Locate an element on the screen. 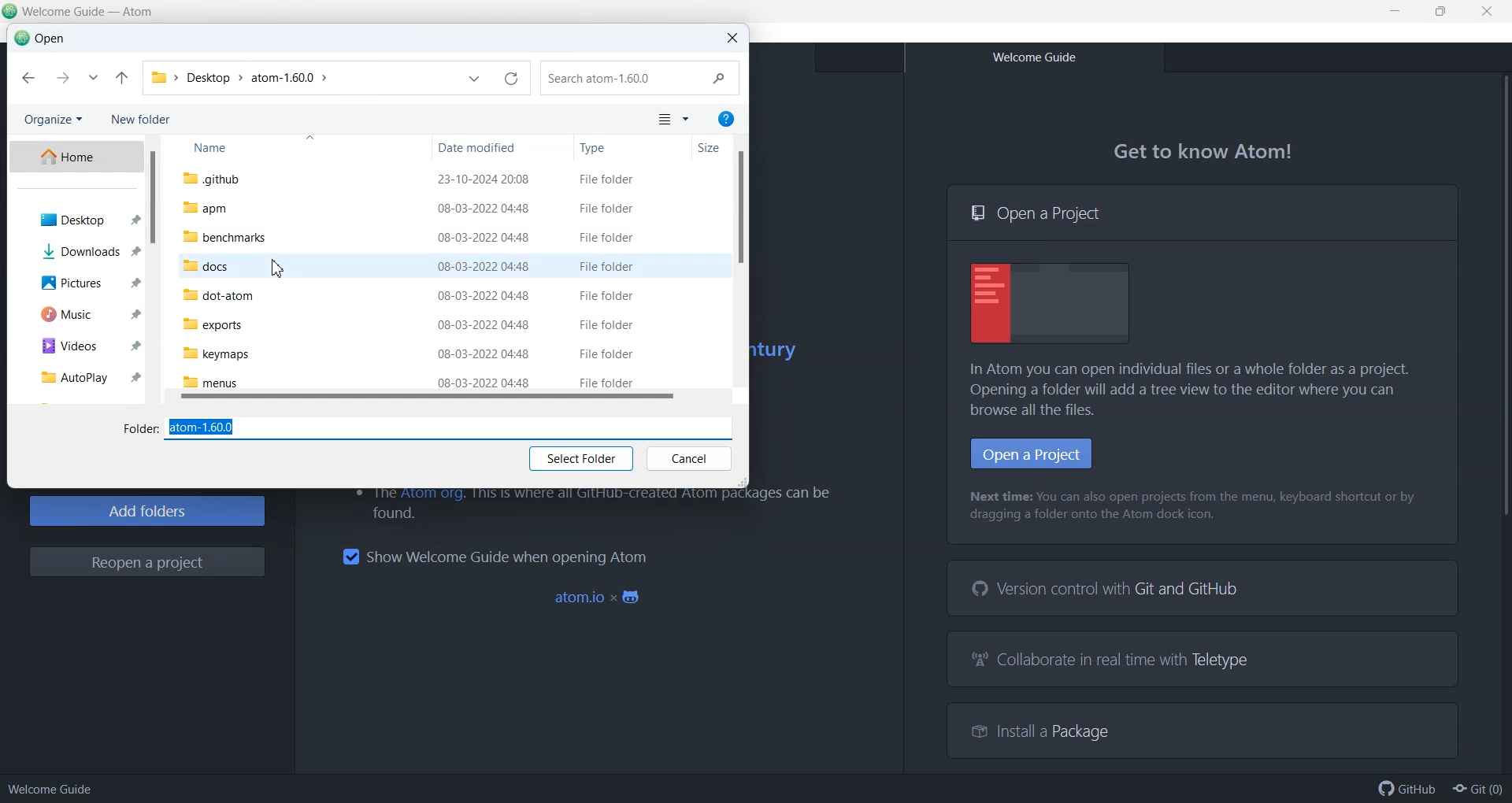 The image size is (1512, 803). Install a Package is located at coordinates (1032, 729).